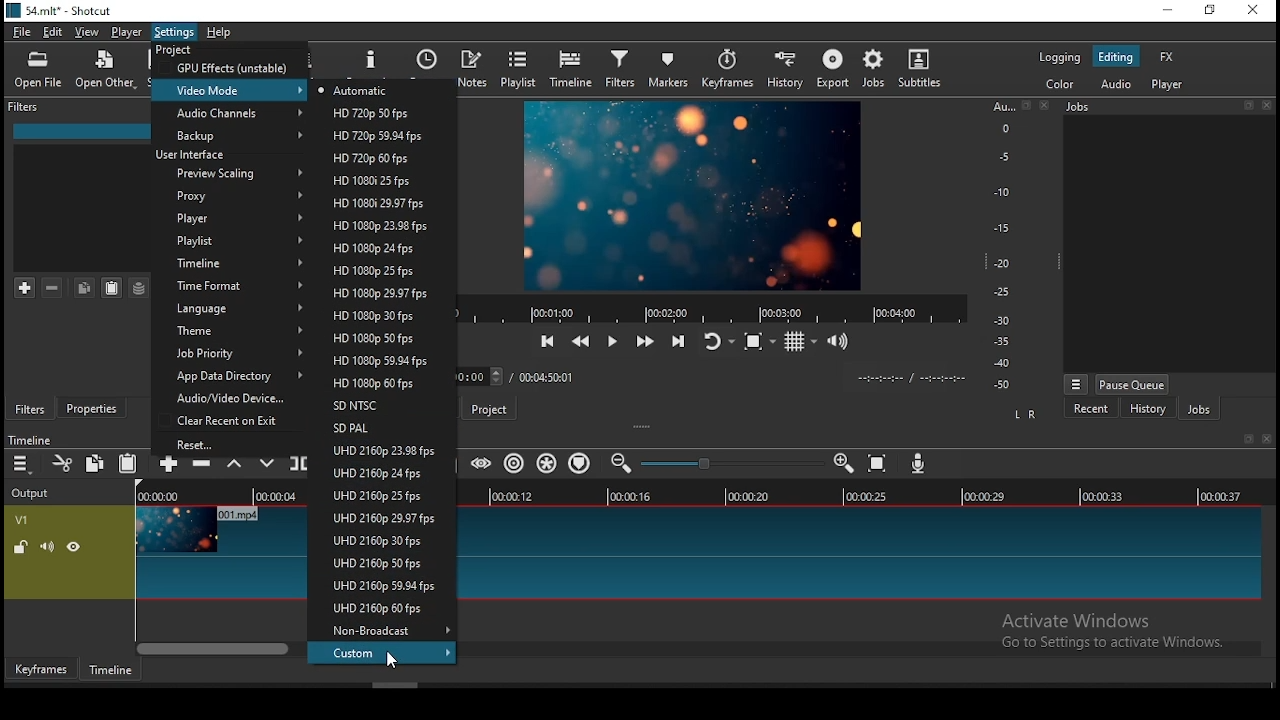 The width and height of the screenshot is (1280, 720). Describe the element at coordinates (371, 115) in the screenshot. I see `resolution option` at that location.